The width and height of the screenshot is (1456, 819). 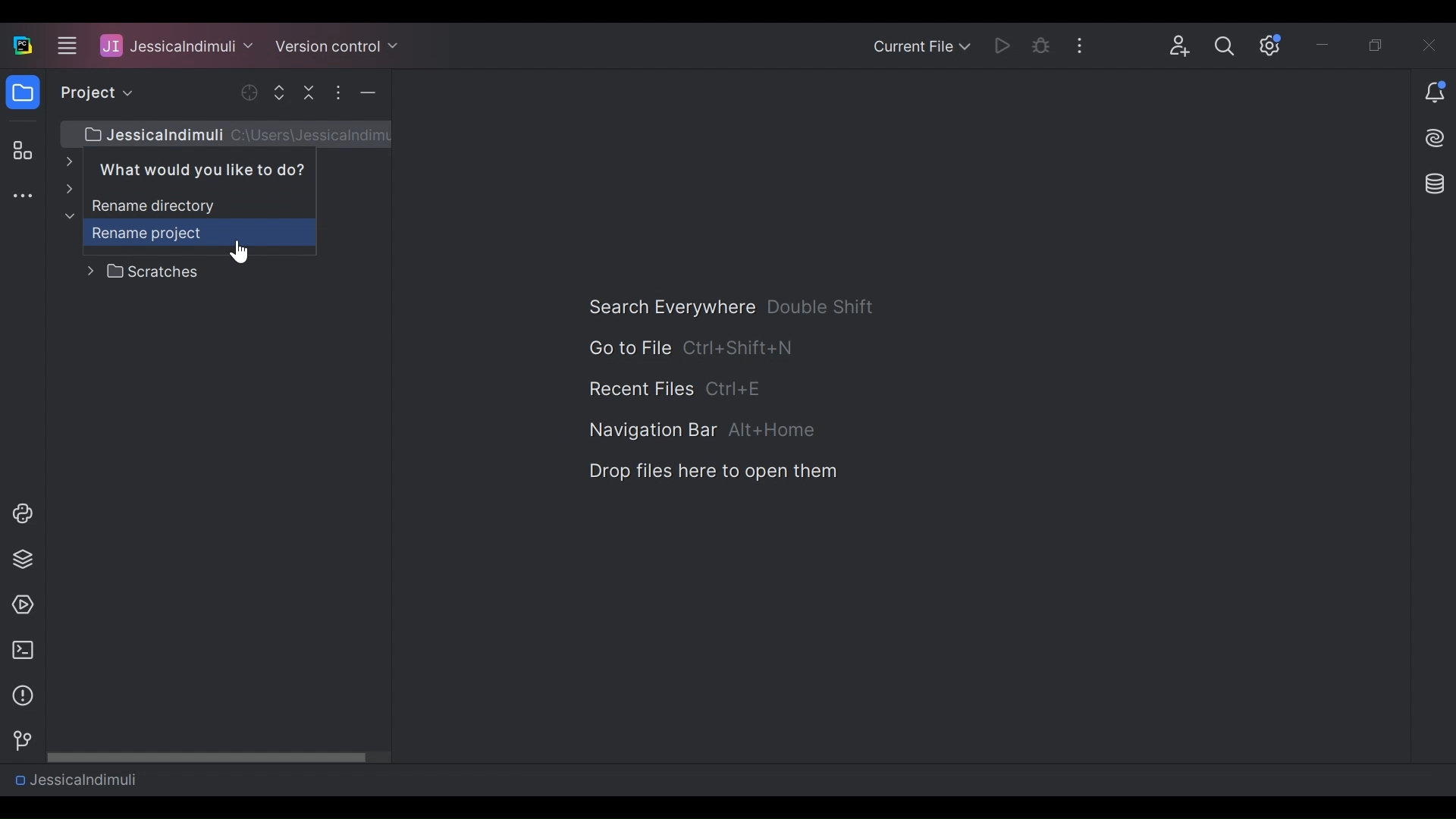 What do you see at coordinates (18, 651) in the screenshot?
I see `terminal` at bounding box center [18, 651].